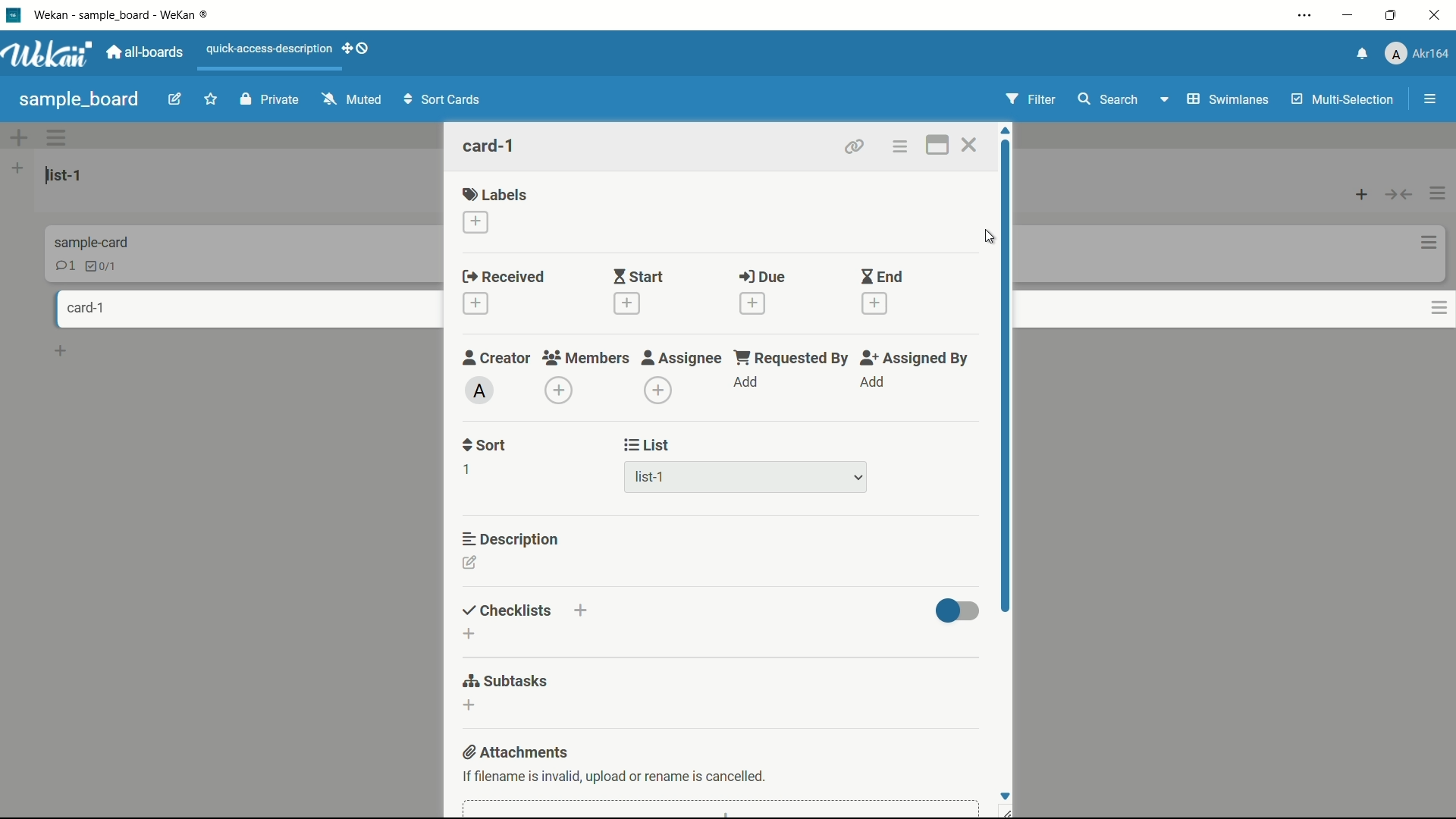  Describe the element at coordinates (971, 145) in the screenshot. I see `close card` at that location.